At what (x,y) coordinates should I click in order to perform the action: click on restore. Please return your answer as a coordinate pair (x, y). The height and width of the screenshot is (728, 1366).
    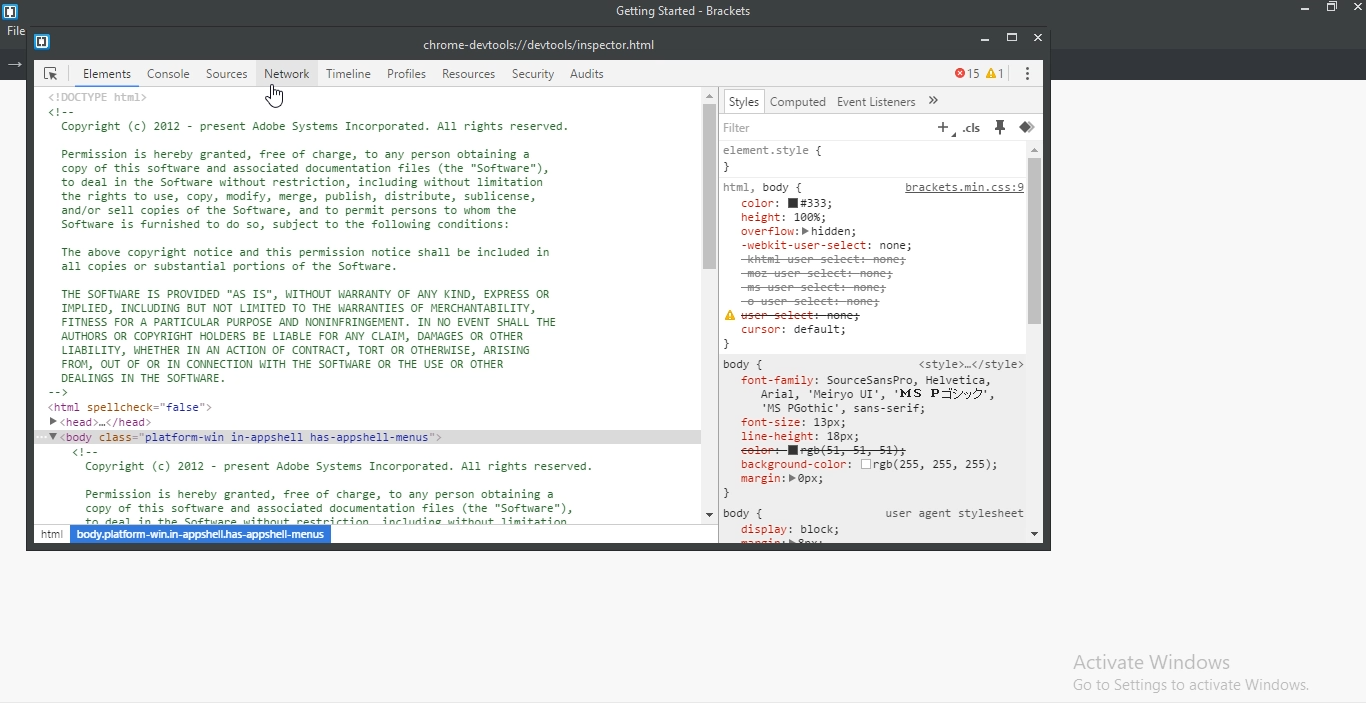
    Looking at the image, I should click on (1011, 36).